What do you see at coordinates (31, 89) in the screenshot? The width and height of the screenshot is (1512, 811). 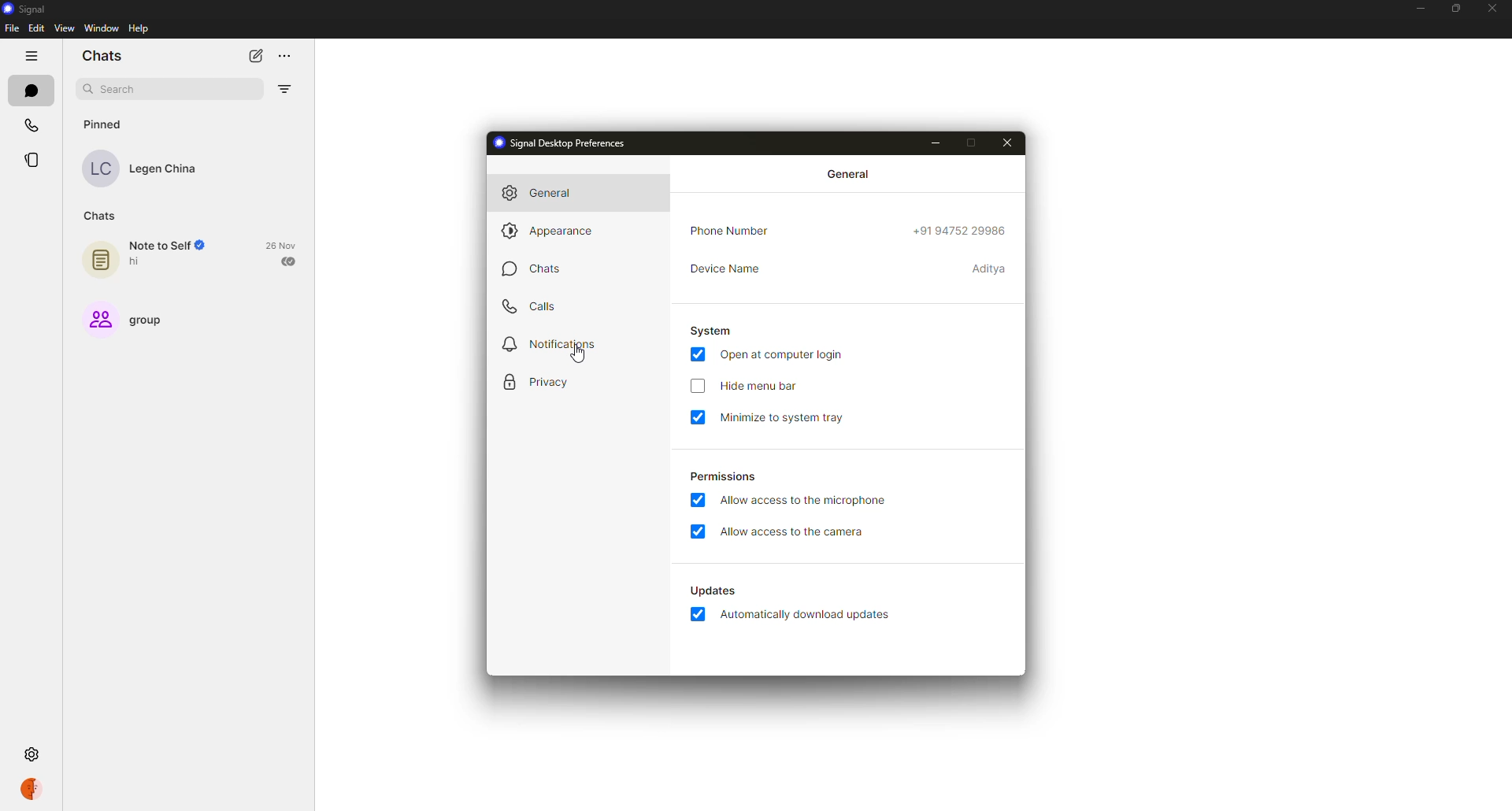 I see `chats` at bounding box center [31, 89].